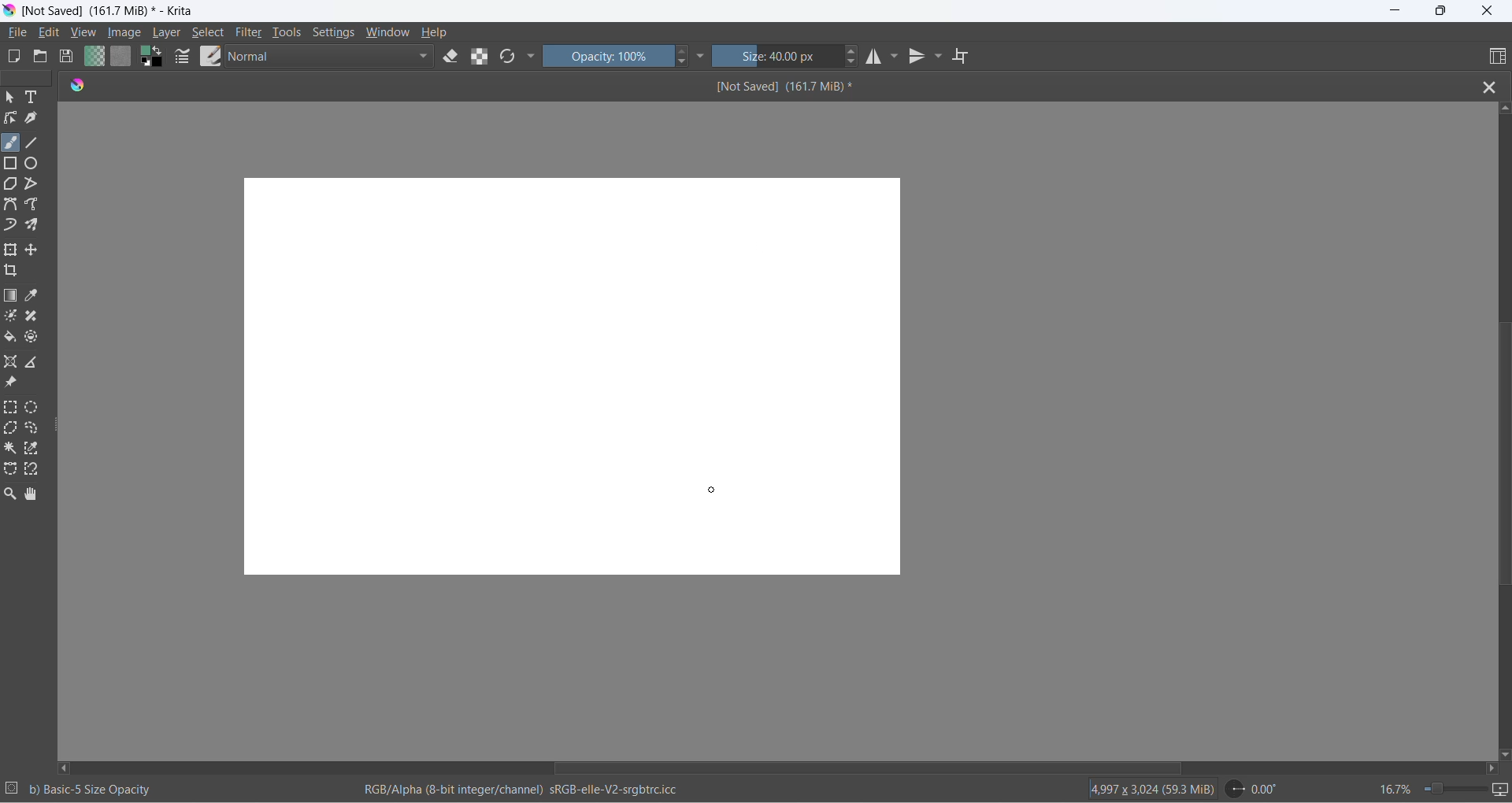 The width and height of the screenshot is (1512, 803). I want to click on colorize mask tool, so click(12, 316).